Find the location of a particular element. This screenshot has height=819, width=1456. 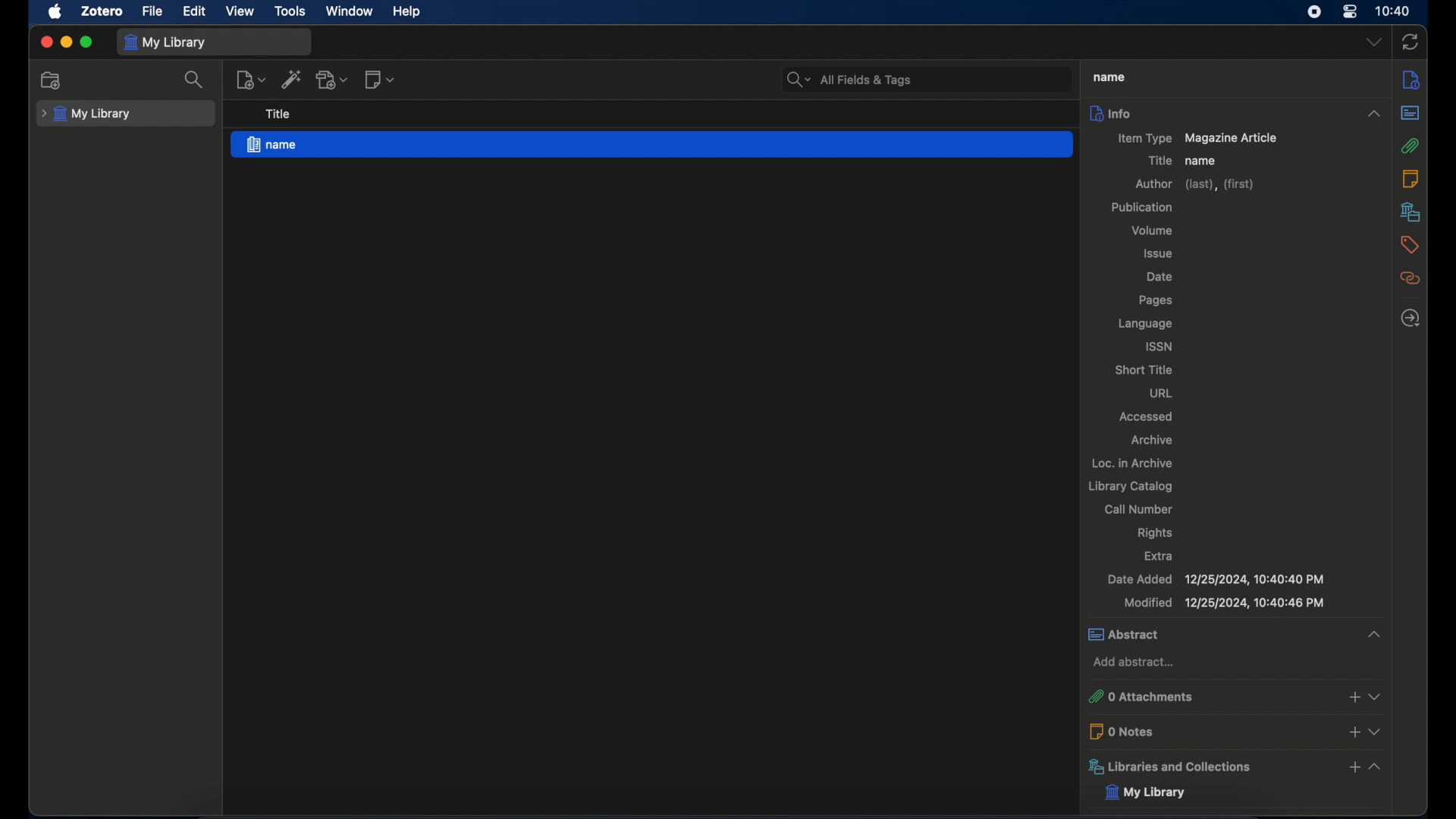

screen recorder is located at coordinates (1316, 12).